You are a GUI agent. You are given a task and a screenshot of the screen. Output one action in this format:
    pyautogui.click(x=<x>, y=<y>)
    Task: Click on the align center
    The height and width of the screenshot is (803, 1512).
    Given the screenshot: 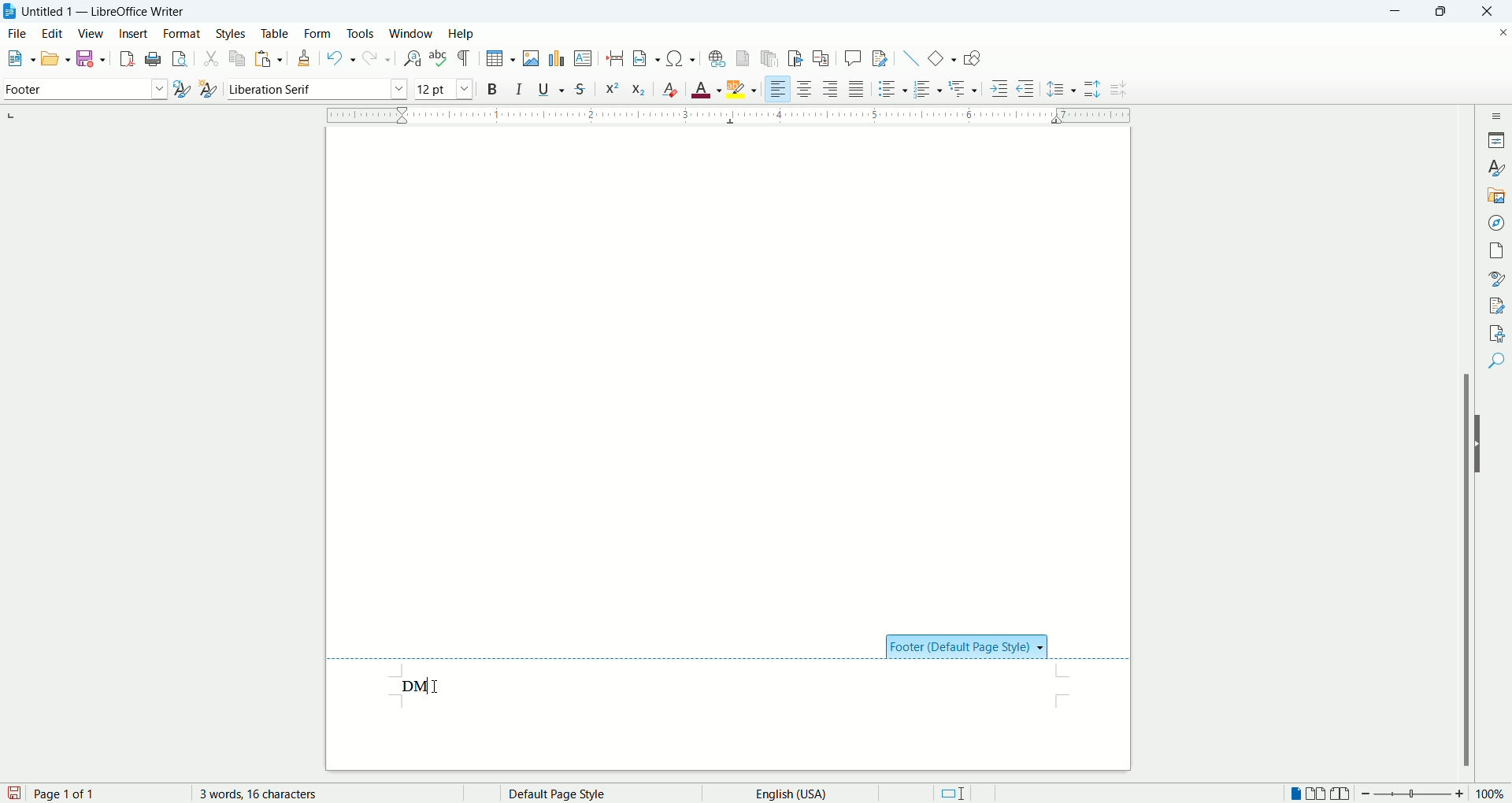 What is the action you would take?
    pyautogui.click(x=809, y=90)
    